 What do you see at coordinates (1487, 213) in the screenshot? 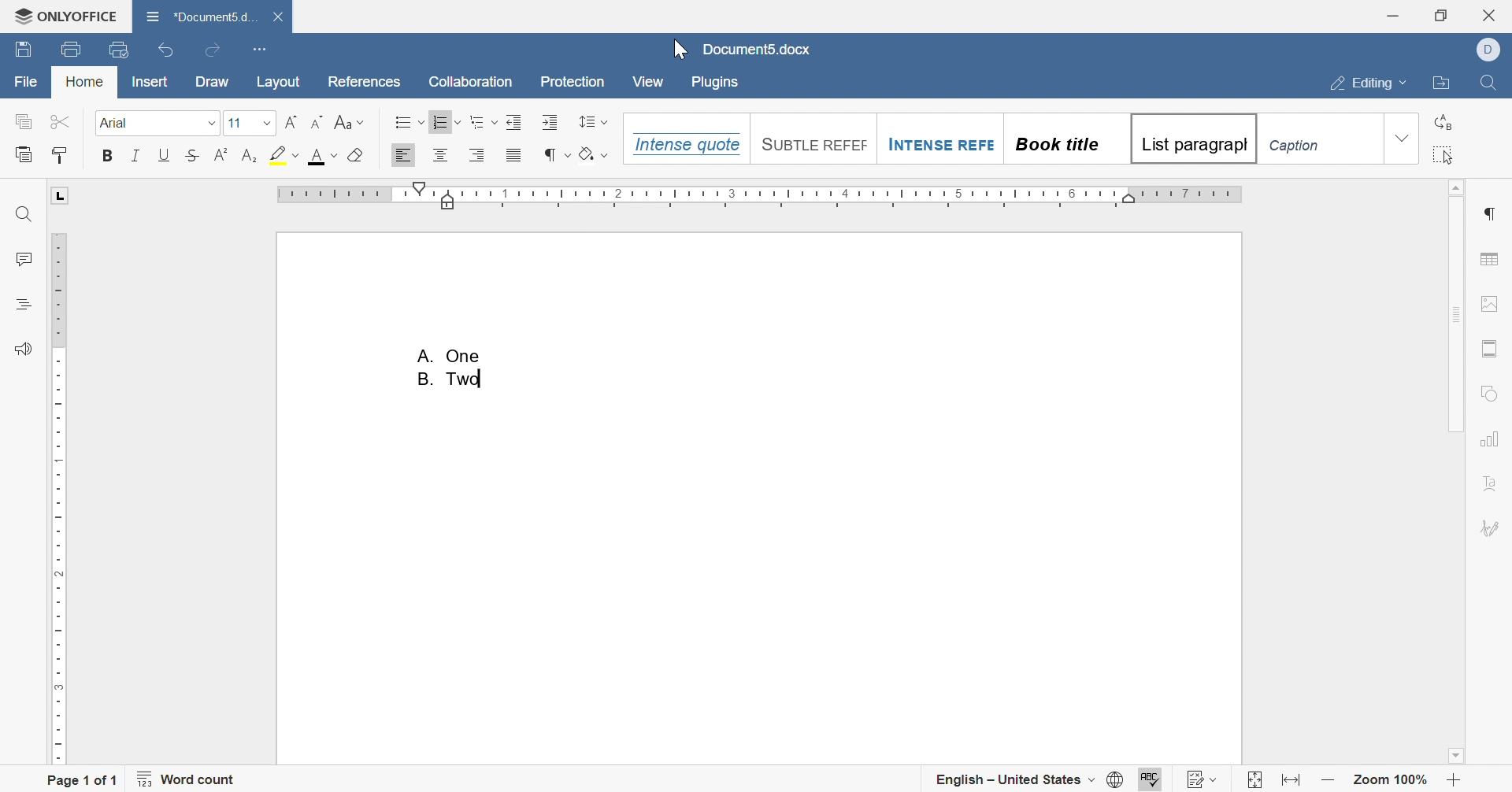
I see `paragraph` at bounding box center [1487, 213].